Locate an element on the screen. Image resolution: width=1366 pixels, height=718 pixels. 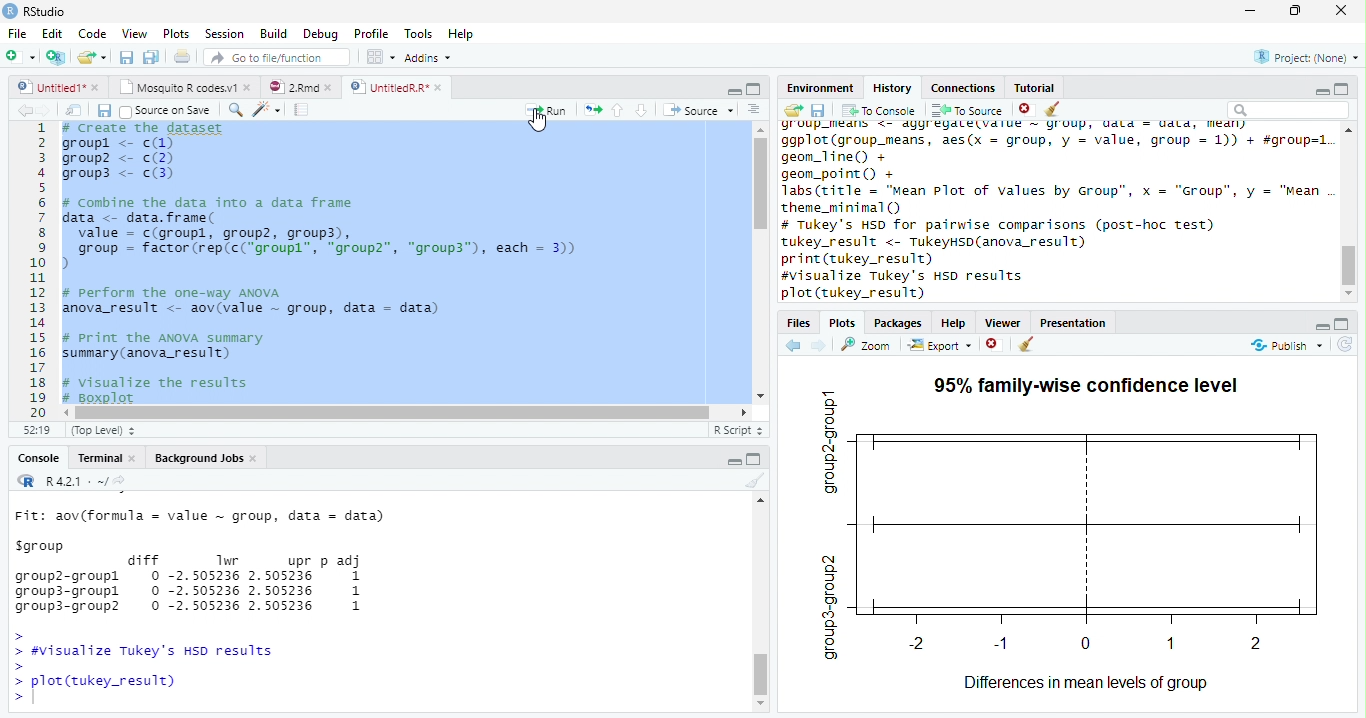
Show in new window is located at coordinates (77, 110).